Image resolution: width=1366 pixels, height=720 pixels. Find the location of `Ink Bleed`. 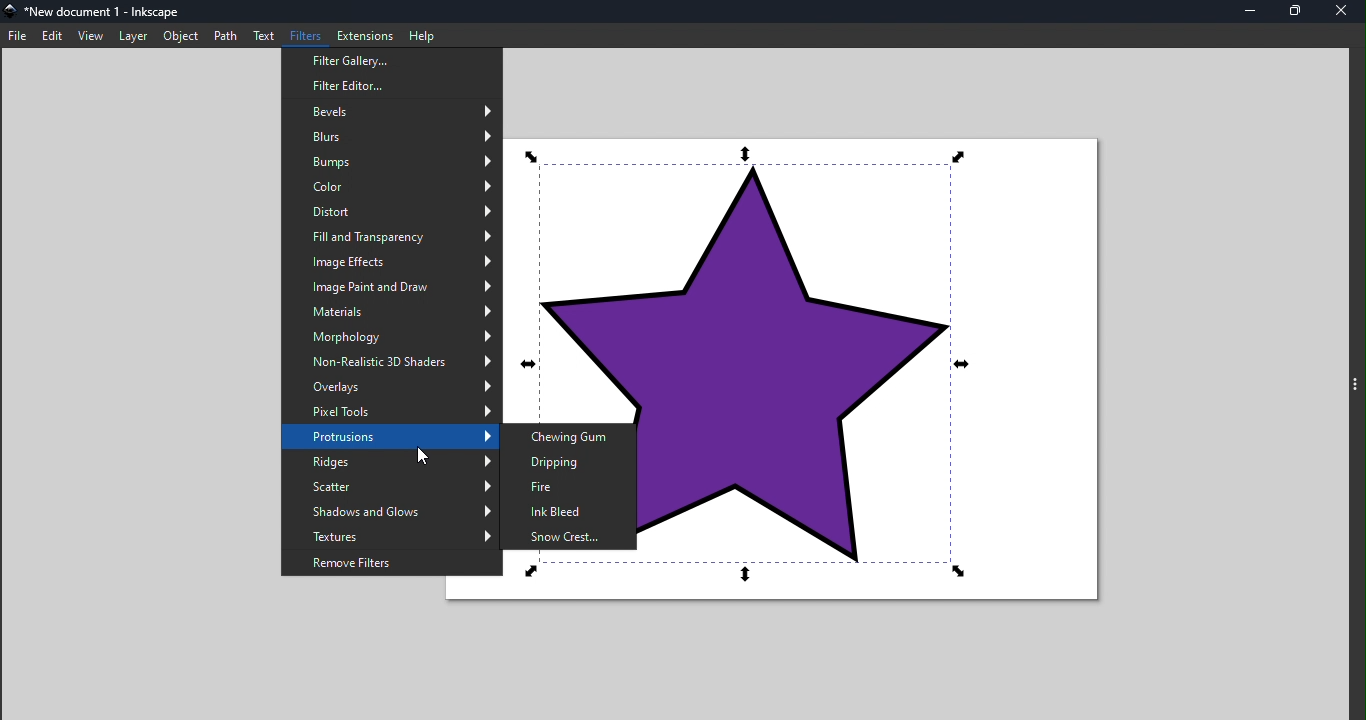

Ink Bleed is located at coordinates (571, 511).